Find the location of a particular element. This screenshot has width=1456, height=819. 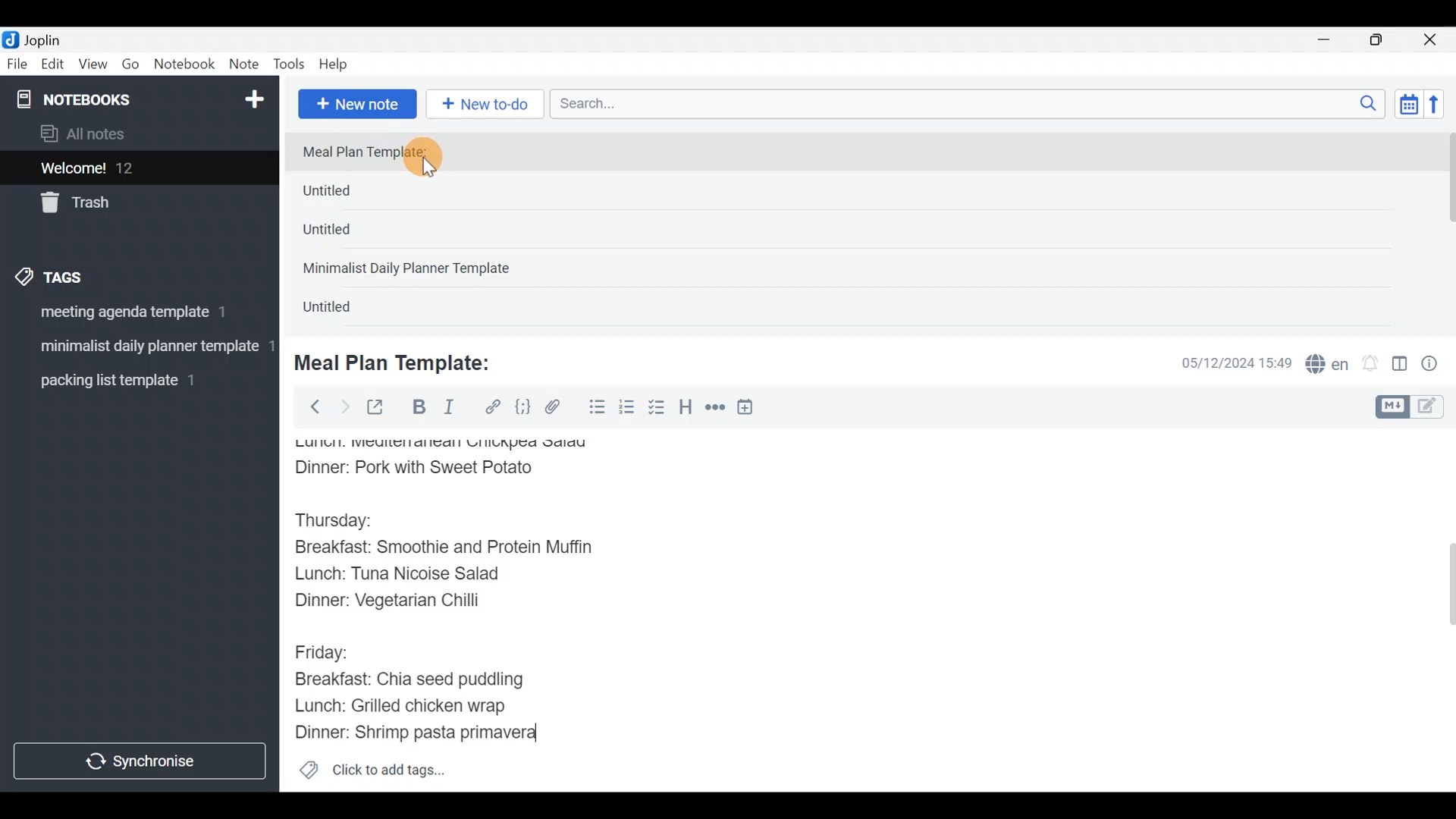

Date & time is located at coordinates (1225, 362).